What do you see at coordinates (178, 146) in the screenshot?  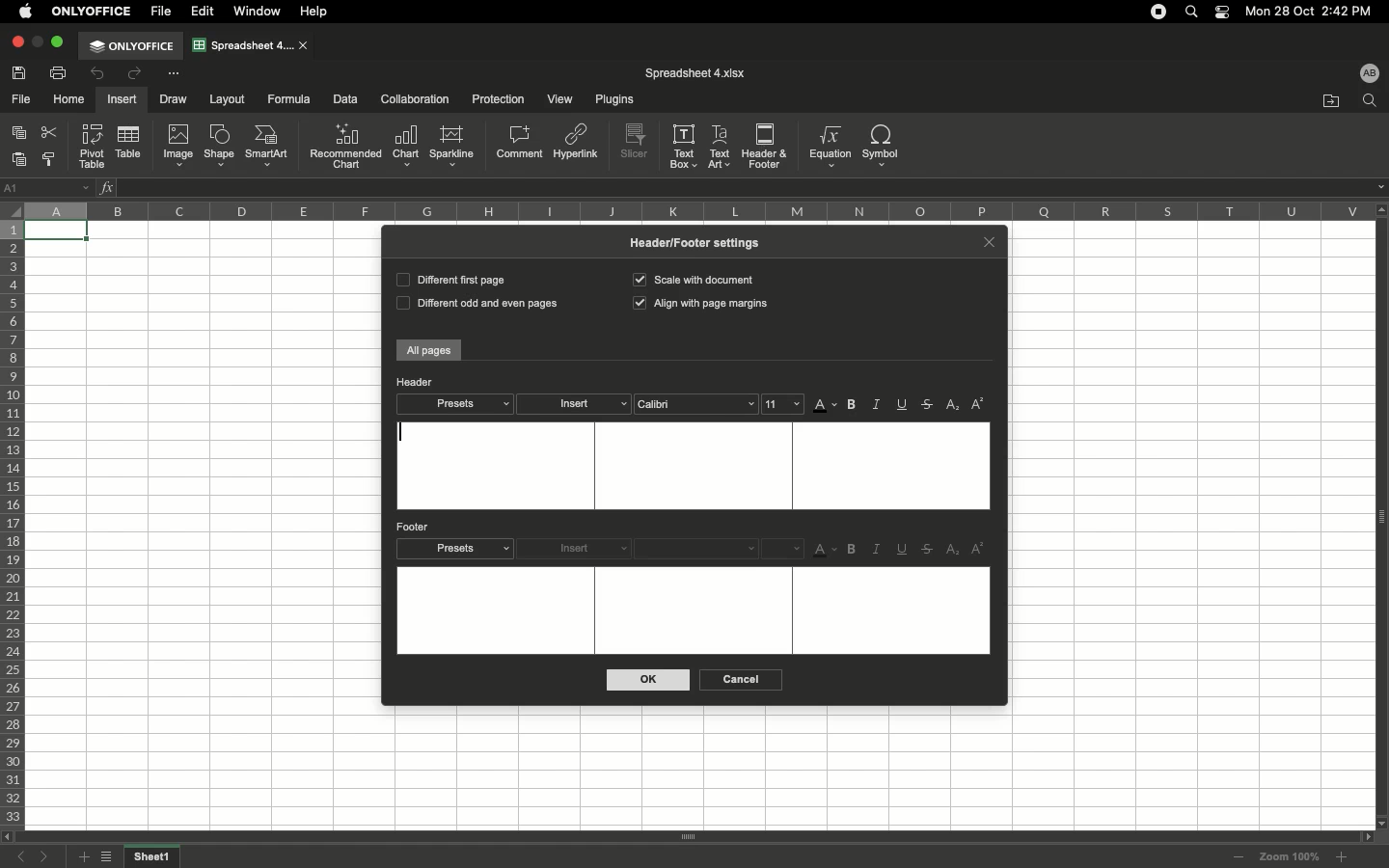 I see `Image` at bounding box center [178, 146].